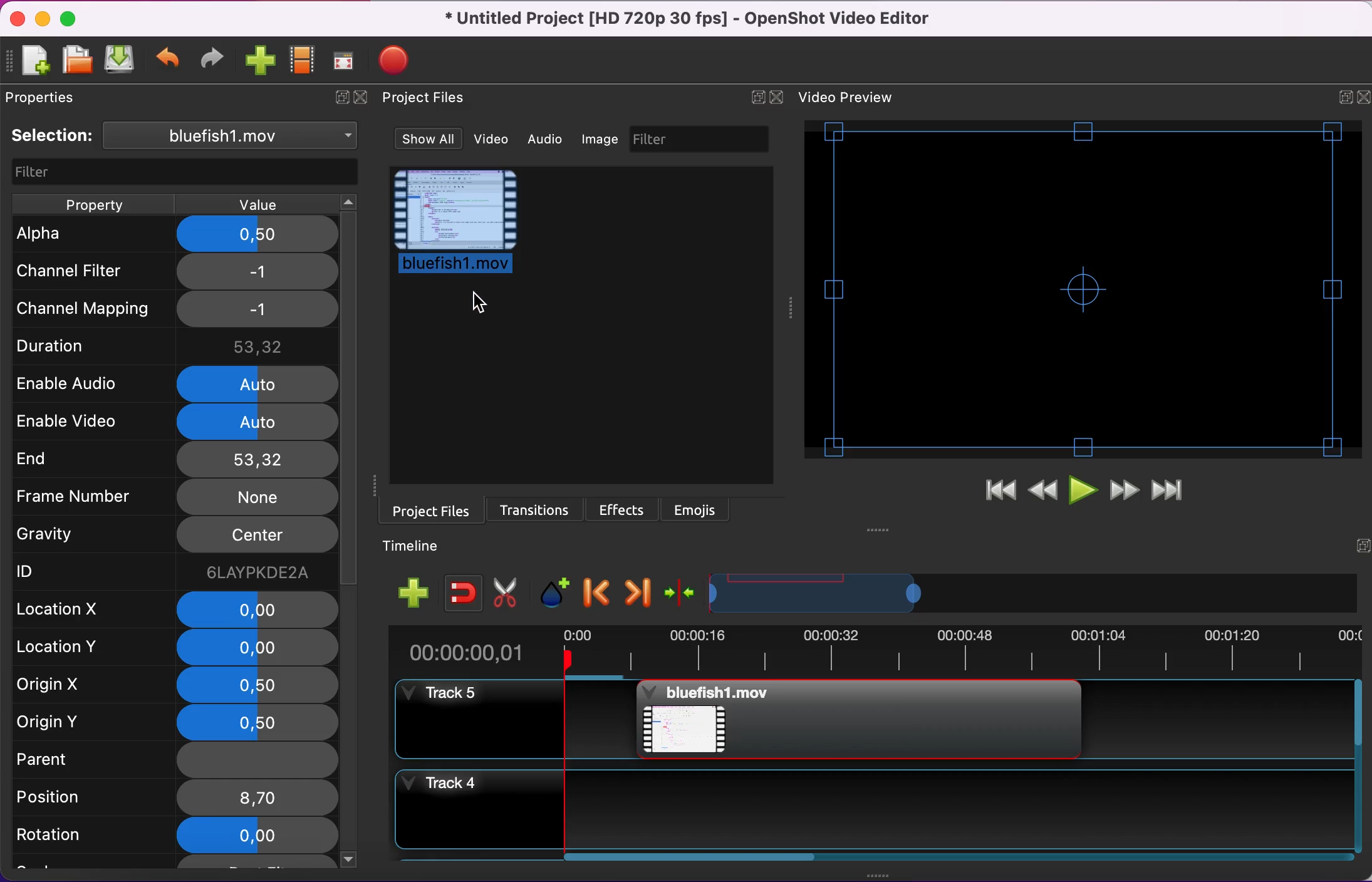 This screenshot has height=882, width=1372. What do you see at coordinates (83, 457) in the screenshot?
I see `end` at bounding box center [83, 457].